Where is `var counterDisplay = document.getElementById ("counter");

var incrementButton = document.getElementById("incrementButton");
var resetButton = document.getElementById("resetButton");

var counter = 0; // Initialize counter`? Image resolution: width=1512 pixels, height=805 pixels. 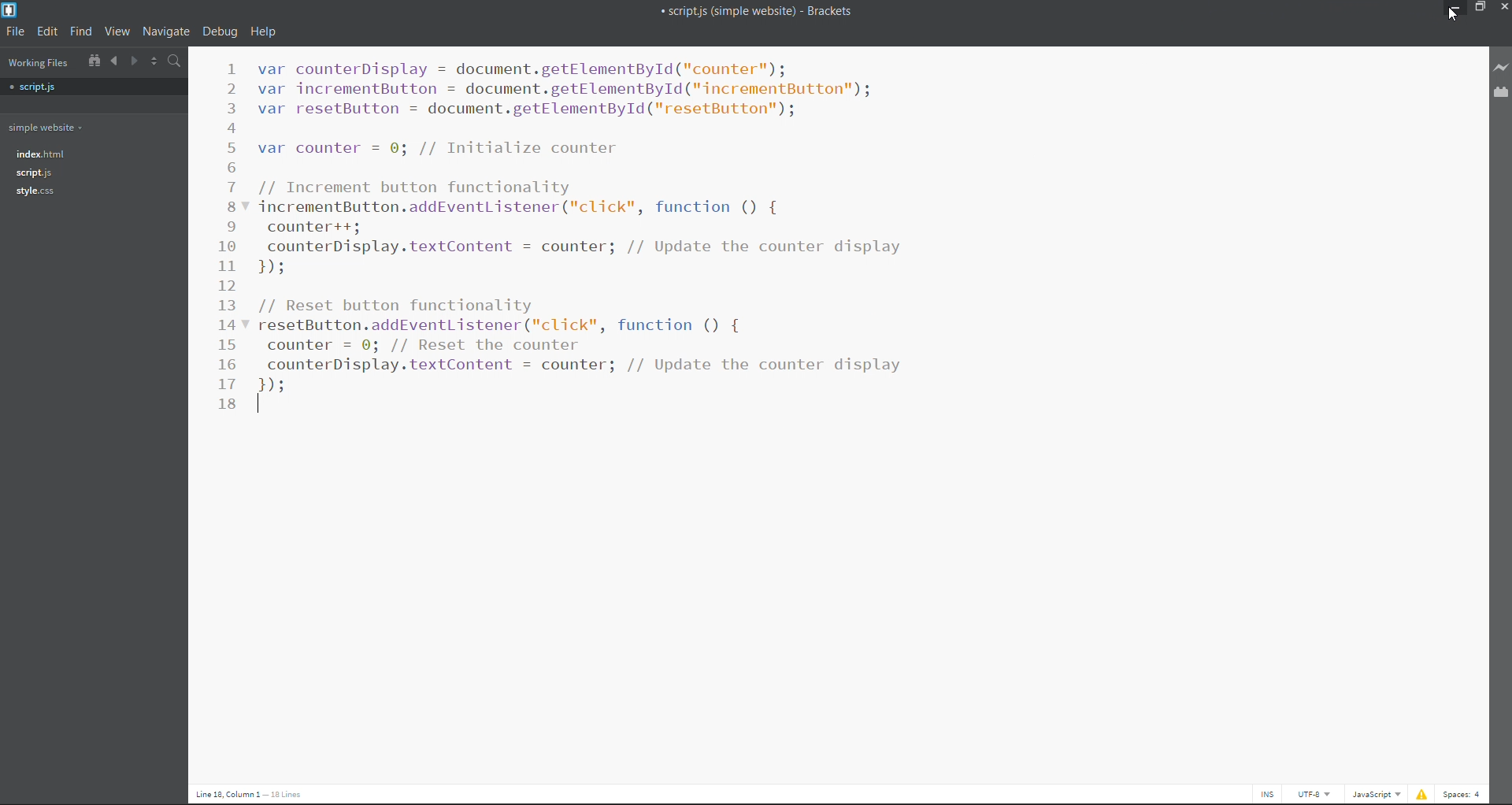 var counterDisplay = document.getElementById ("counter");

var incrementButton = document.getElementById("incrementButton");
var resetButton = document.getElementById("resetButton");

var counter = 0; // Initialize counter is located at coordinates (587, 109).